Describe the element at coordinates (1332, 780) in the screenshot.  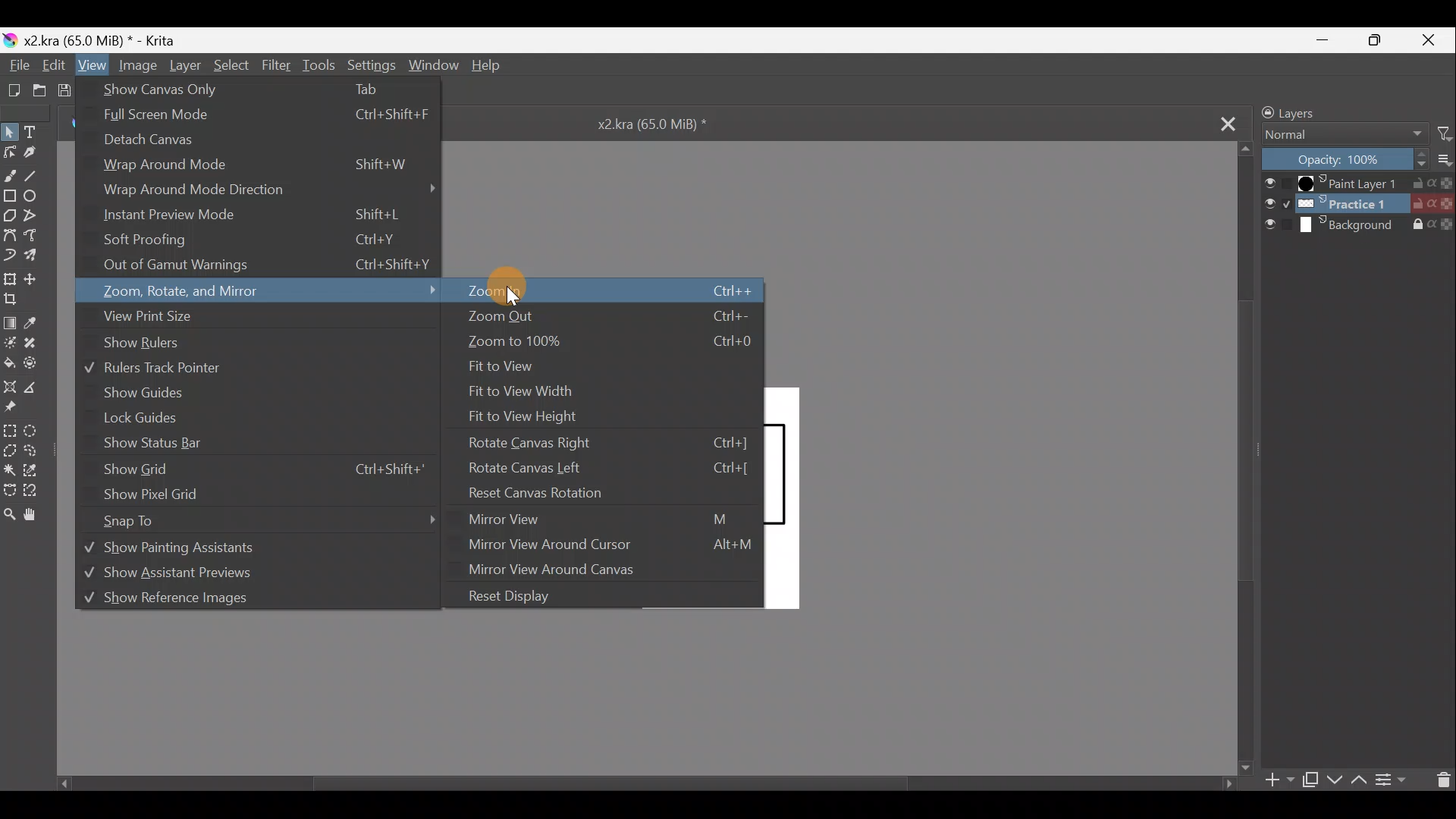
I see `Move layer/mask down` at that location.